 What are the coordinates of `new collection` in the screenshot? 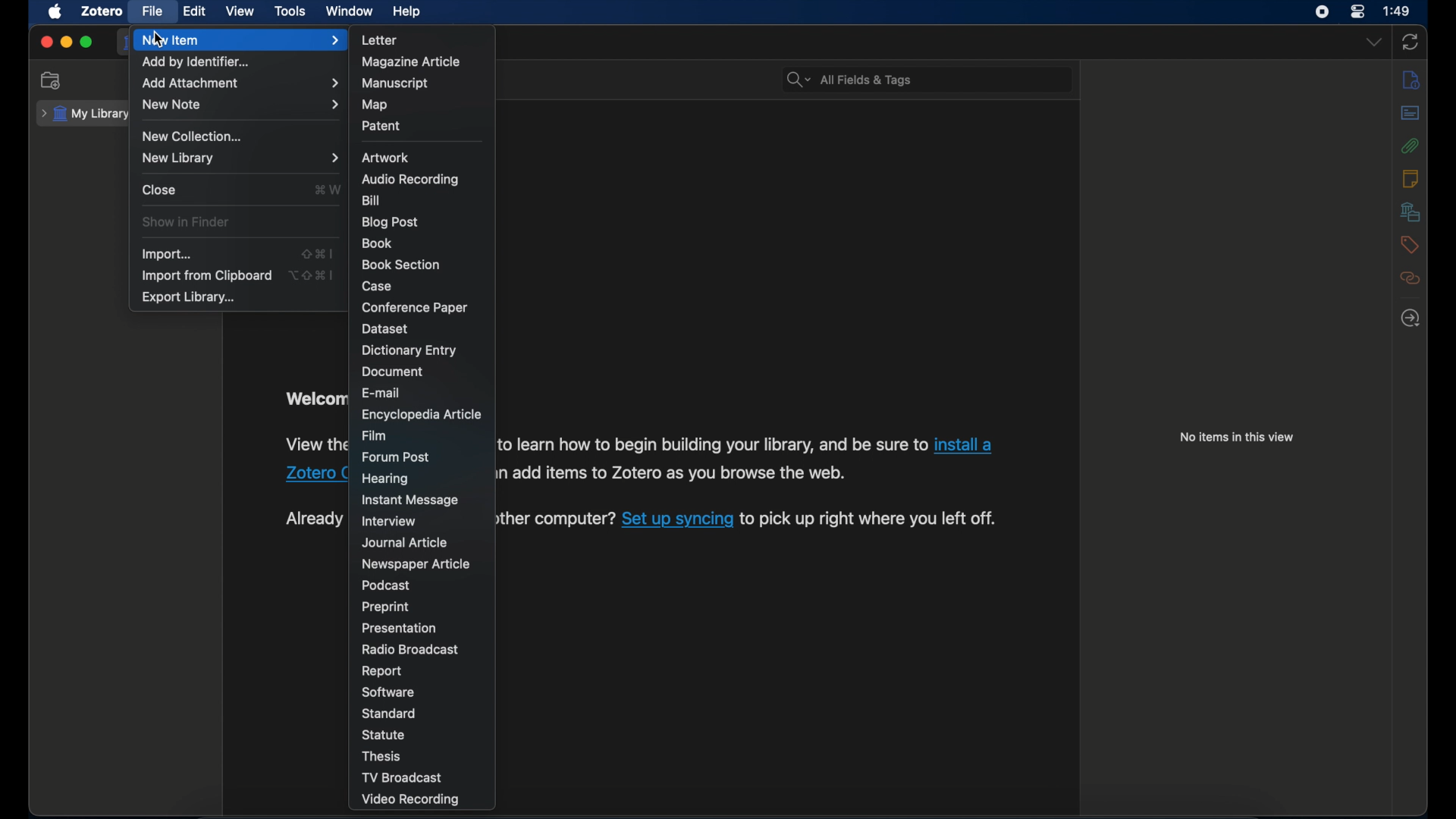 It's located at (195, 136).